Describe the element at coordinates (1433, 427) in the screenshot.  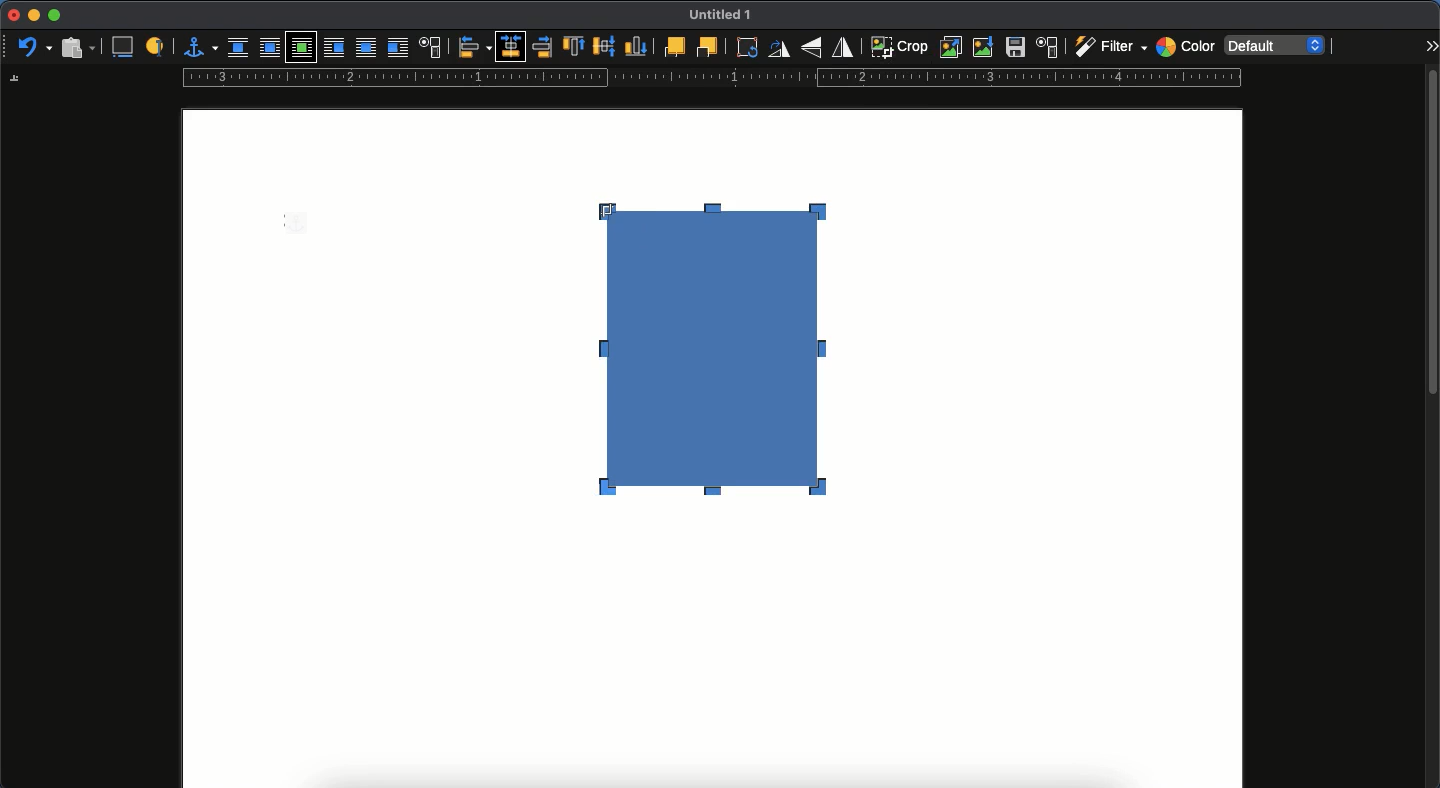
I see `scroll` at that location.